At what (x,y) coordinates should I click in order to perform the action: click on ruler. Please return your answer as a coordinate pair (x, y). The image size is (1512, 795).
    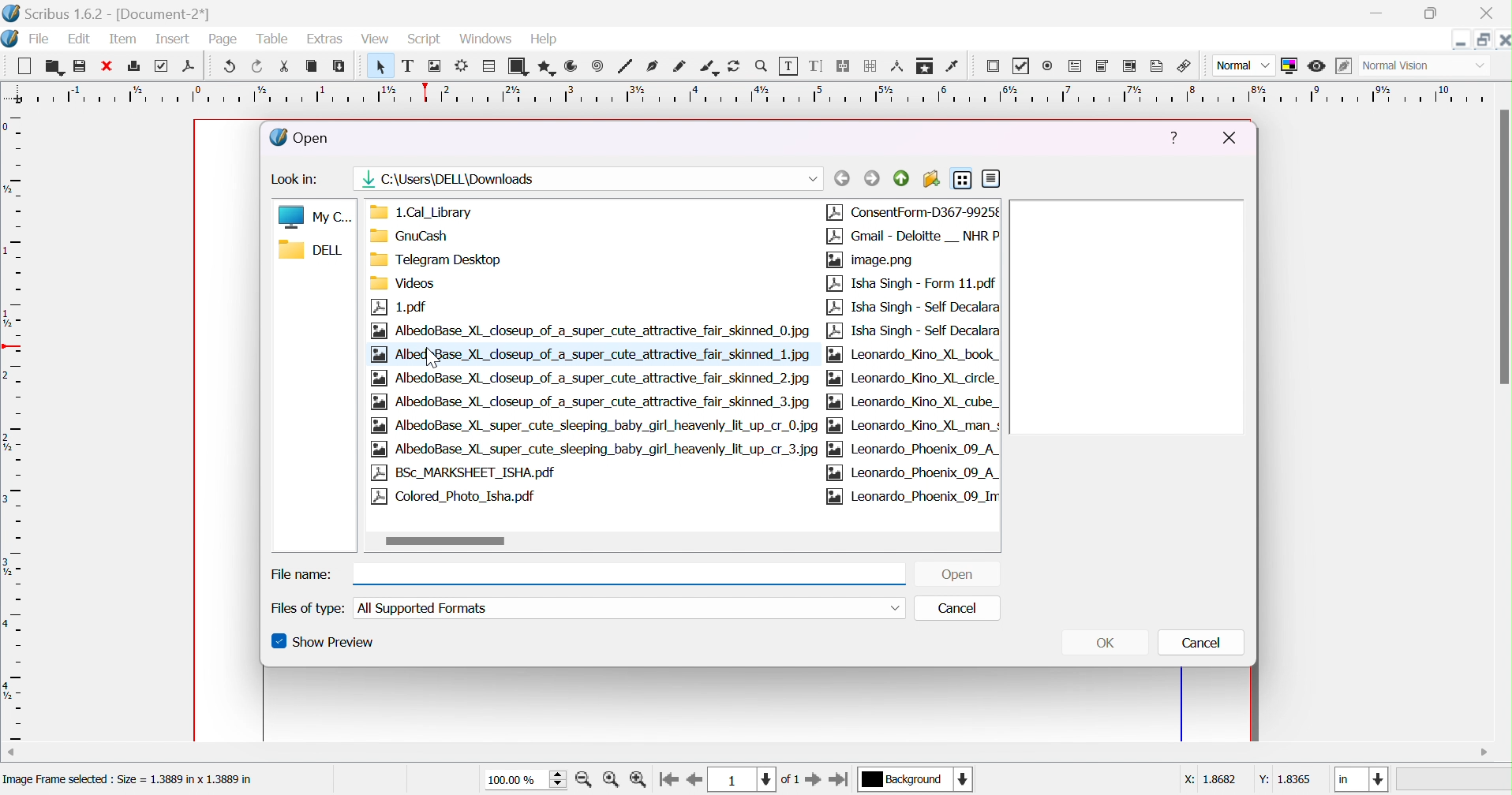
    Looking at the image, I should click on (13, 427).